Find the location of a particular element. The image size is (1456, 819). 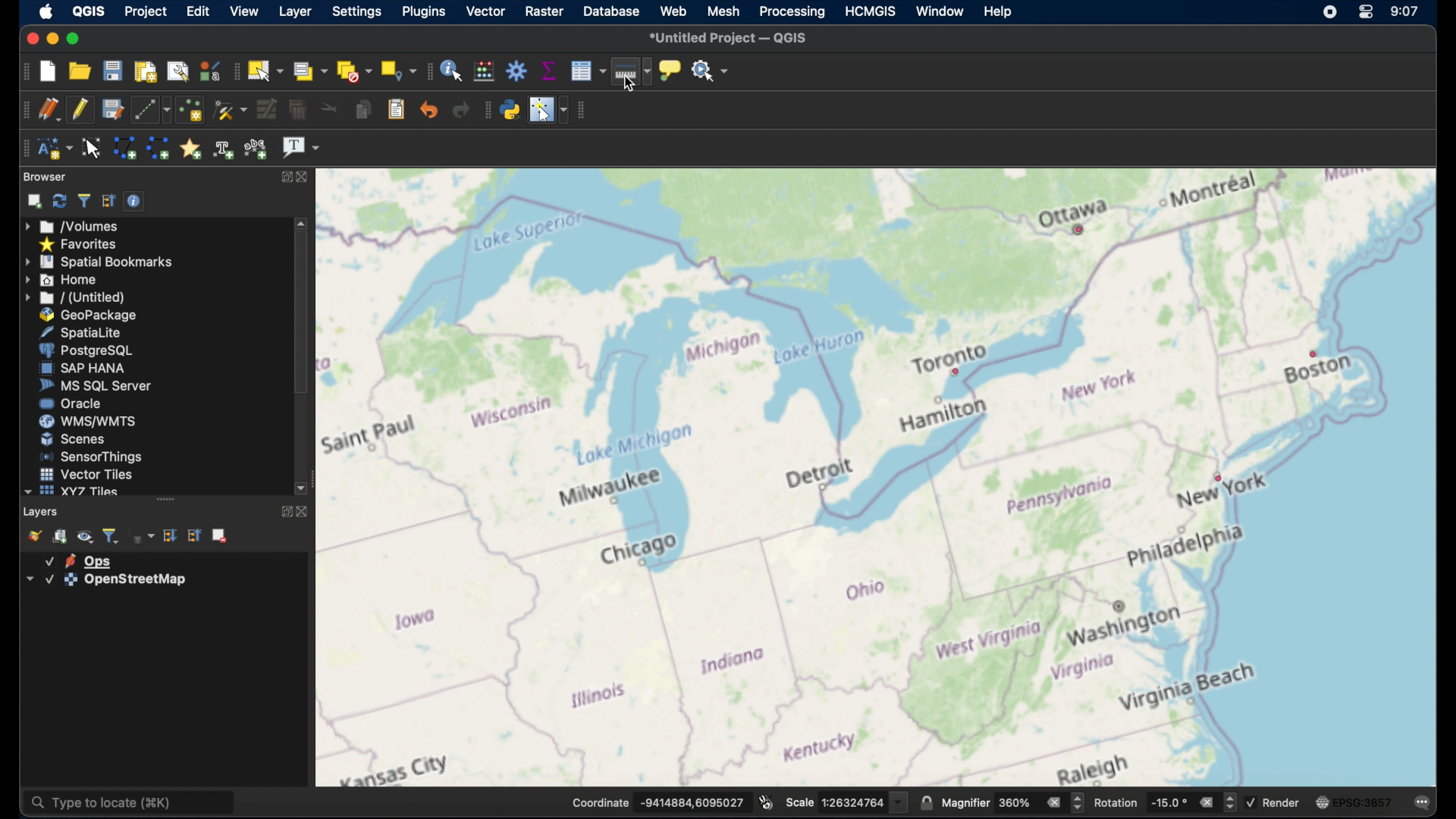

minimize is located at coordinates (51, 38).